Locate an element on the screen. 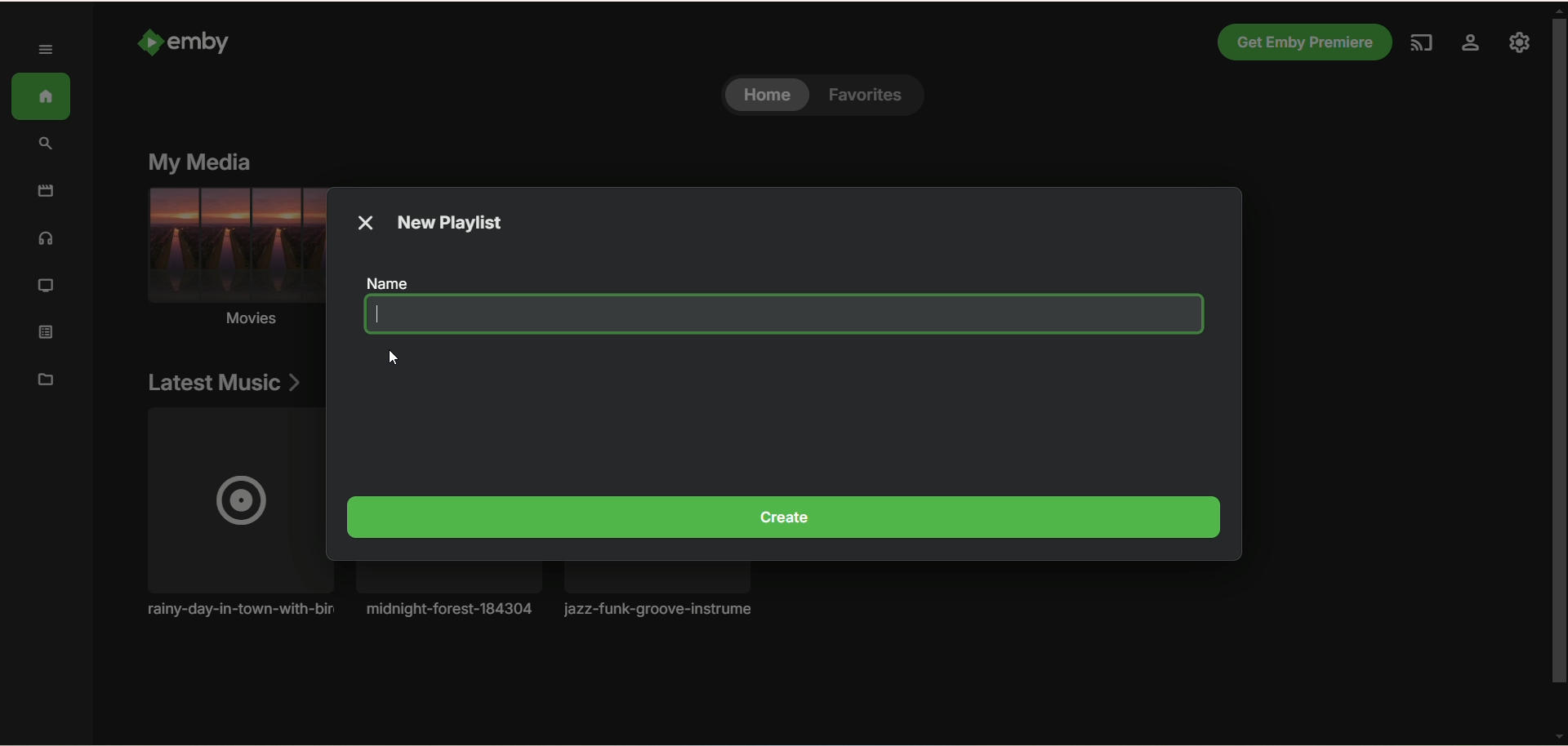  cursor is located at coordinates (394, 357).